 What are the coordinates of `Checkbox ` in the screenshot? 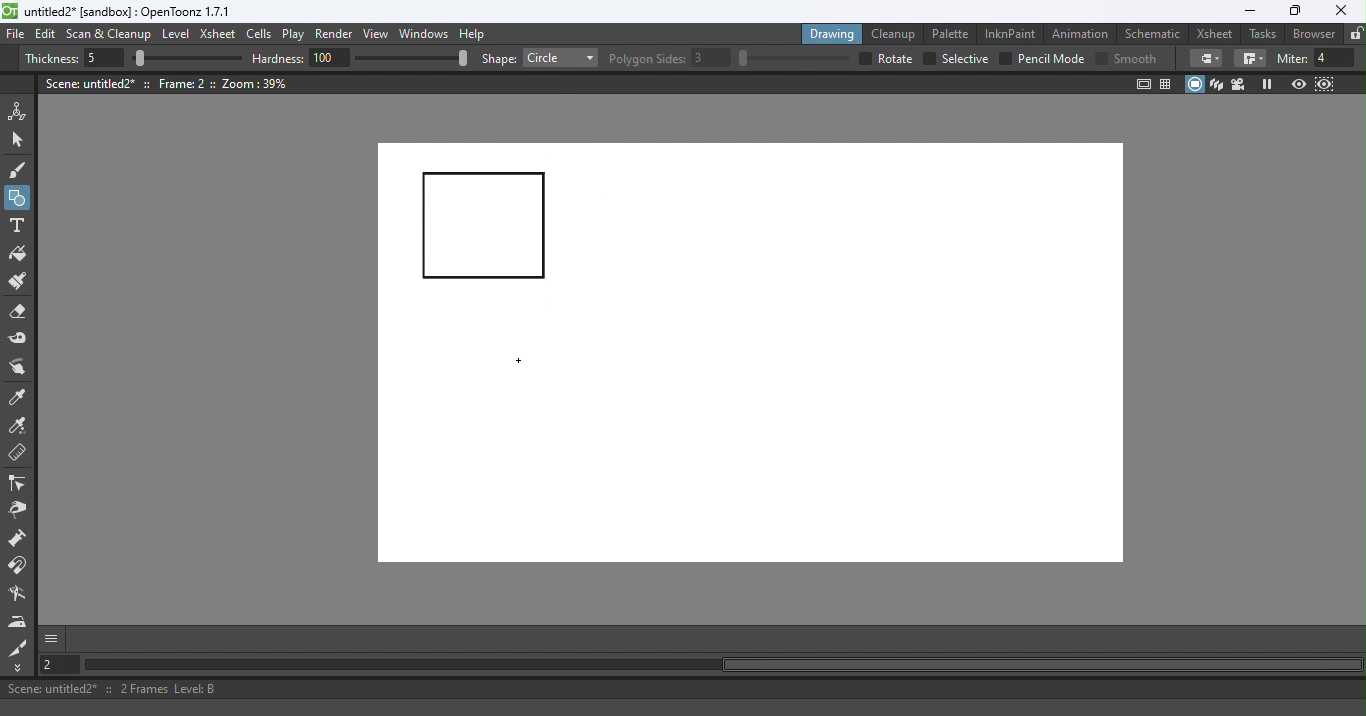 It's located at (1101, 57).